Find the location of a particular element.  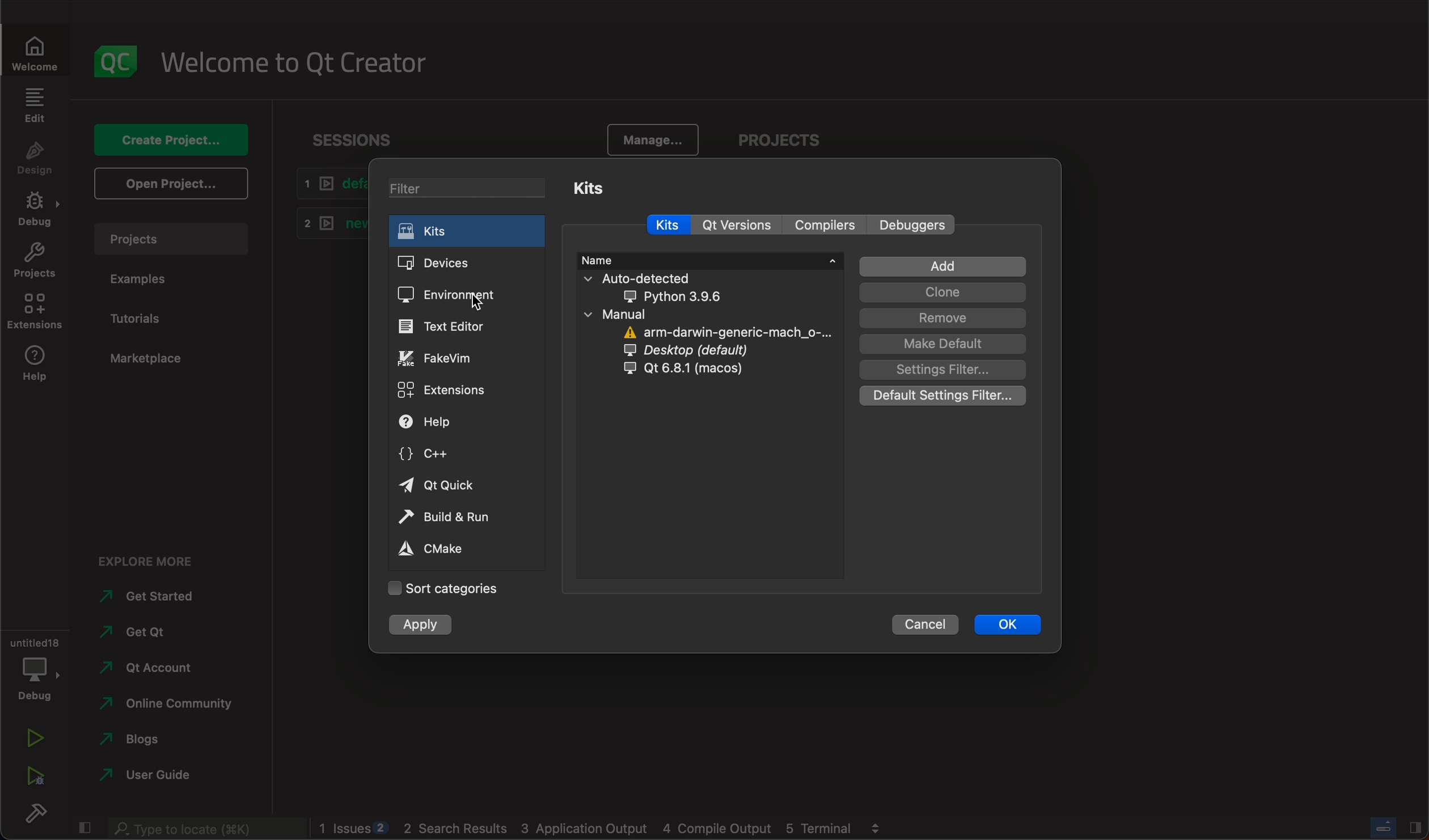

qt versions is located at coordinates (738, 225).